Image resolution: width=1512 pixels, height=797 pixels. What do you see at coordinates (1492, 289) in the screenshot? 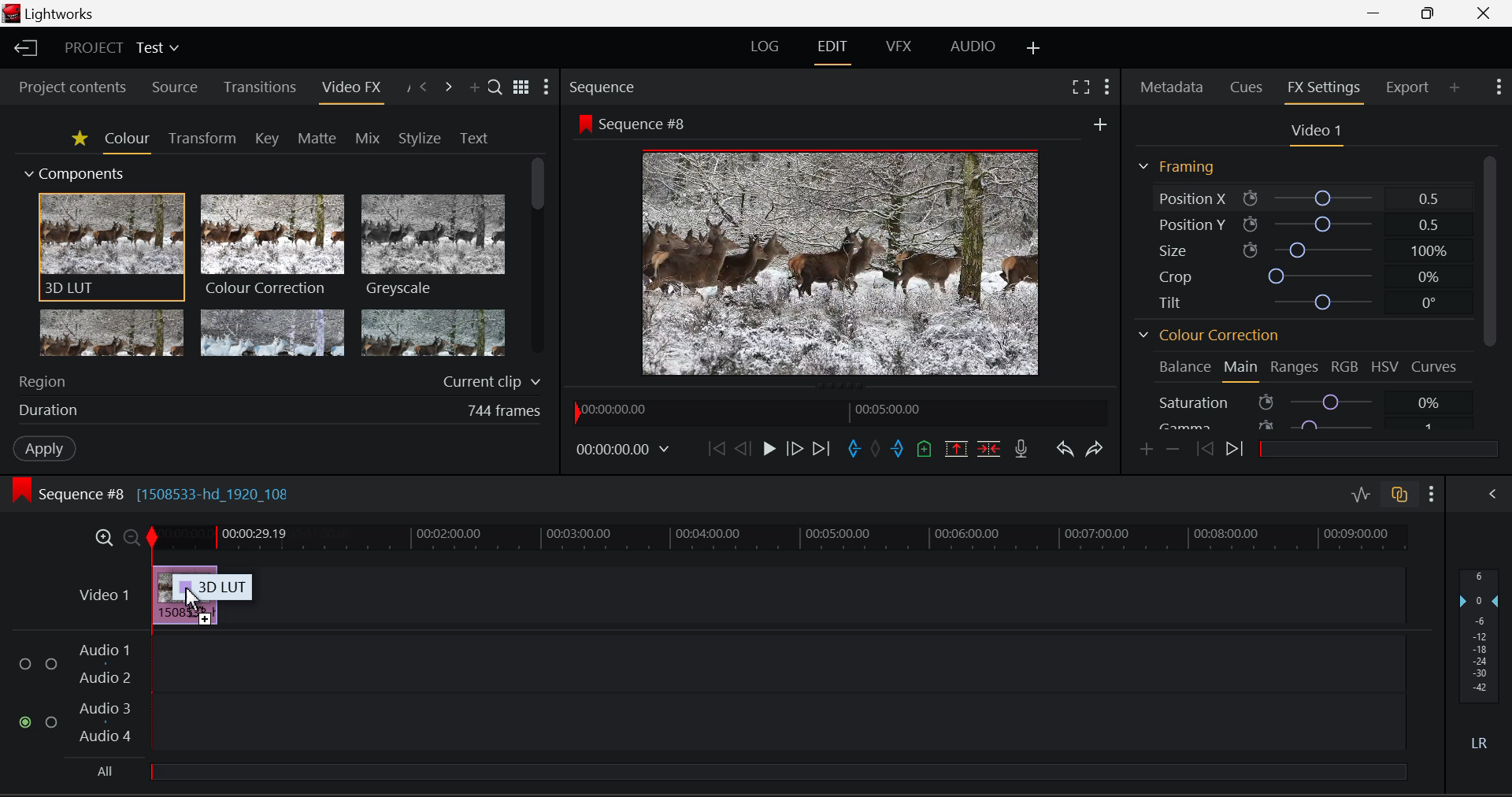
I see `Scroll Bar` at bounding box center [1492, 289].